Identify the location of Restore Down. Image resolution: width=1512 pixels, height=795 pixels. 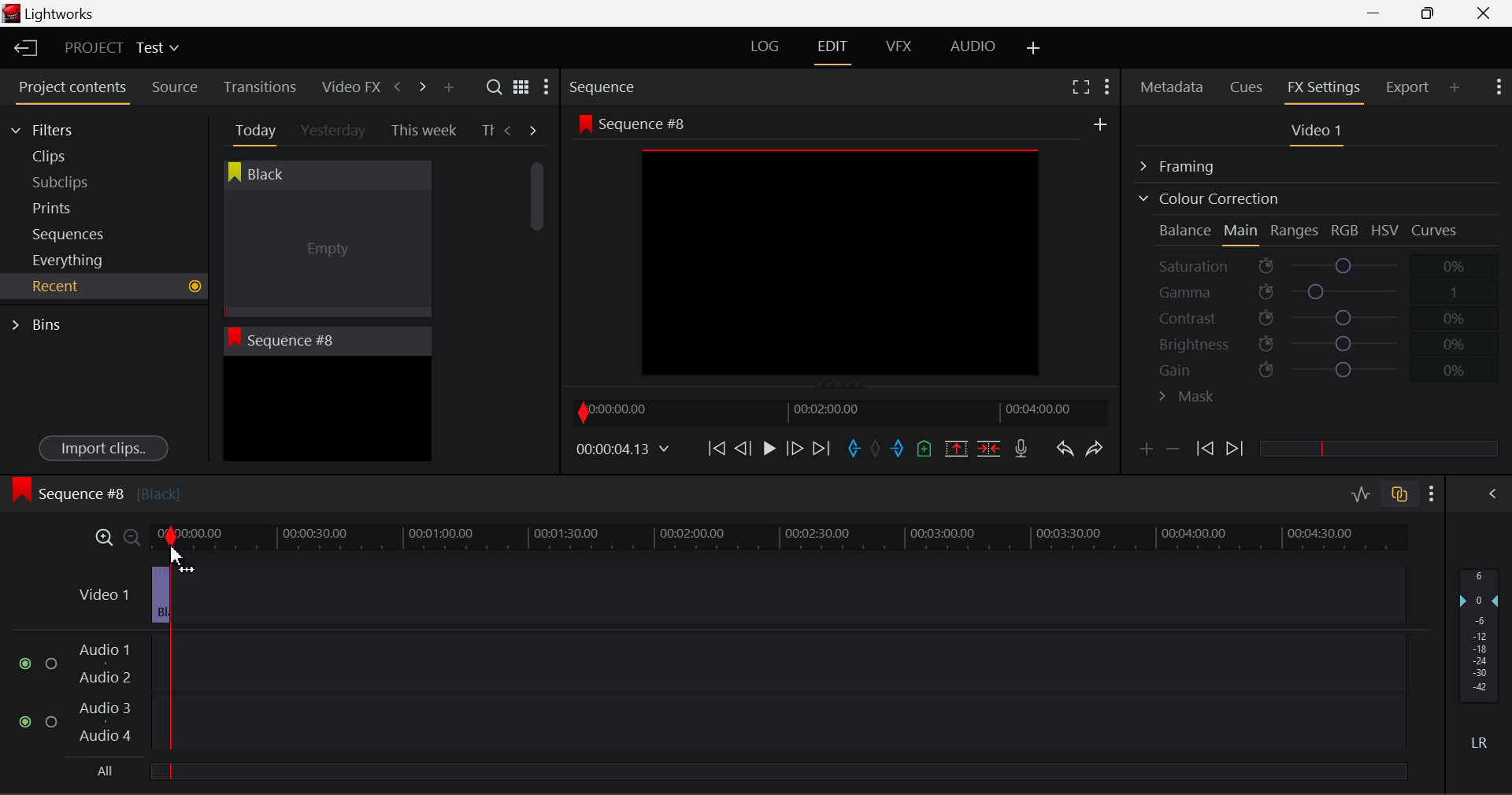
(1379, 13).